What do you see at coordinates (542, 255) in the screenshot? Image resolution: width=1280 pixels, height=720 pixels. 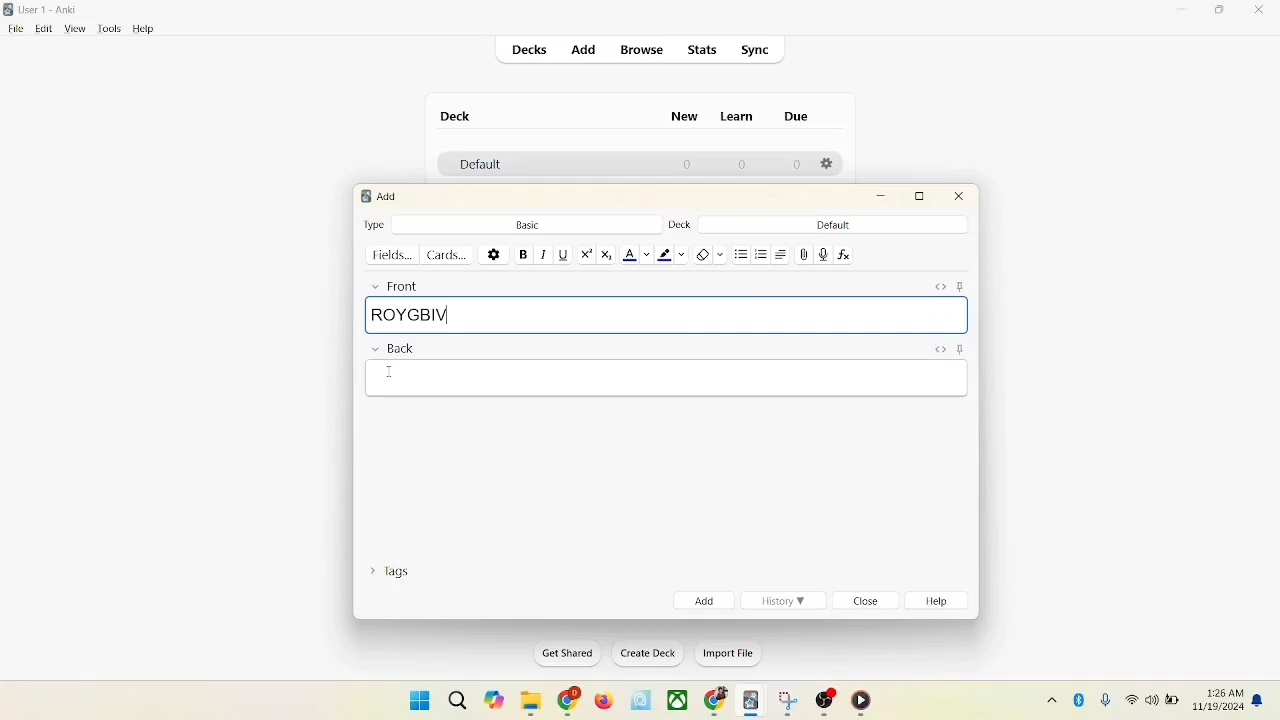 I see `italics` at bounding box center [542, 255].